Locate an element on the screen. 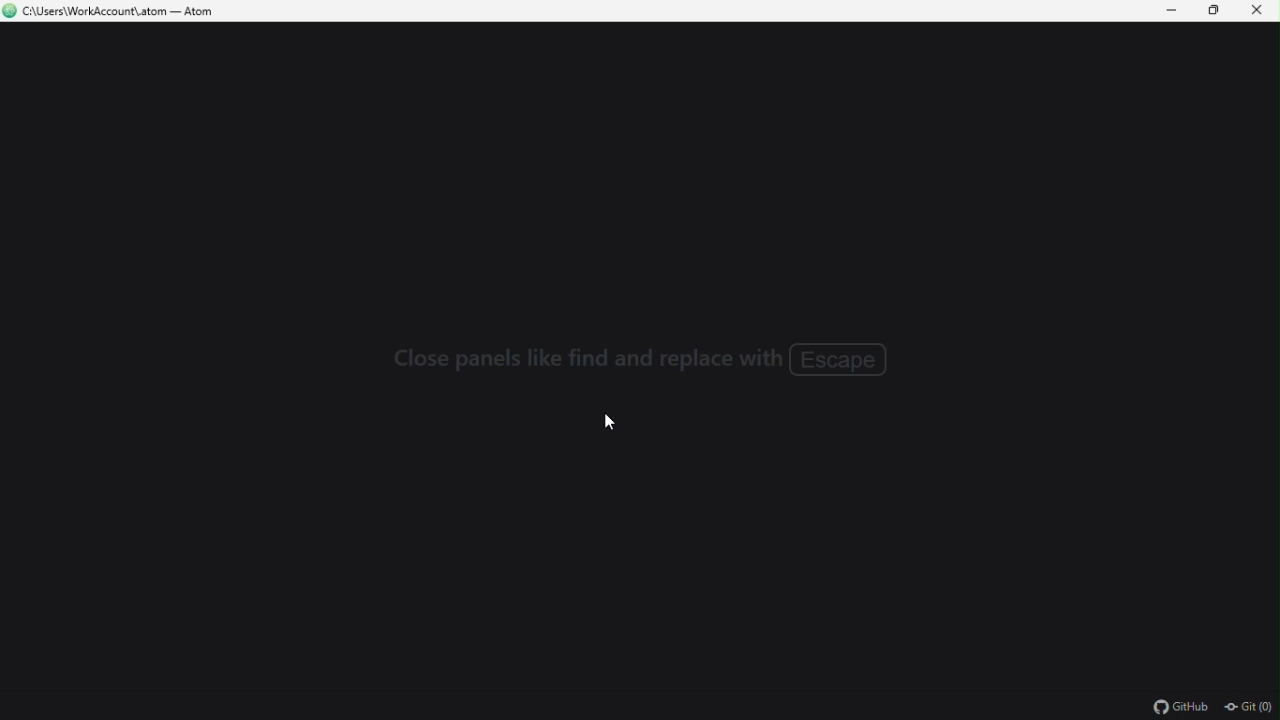 This screenshot has height=720, width=1280. minimize is located at coordinates (1174, 11).